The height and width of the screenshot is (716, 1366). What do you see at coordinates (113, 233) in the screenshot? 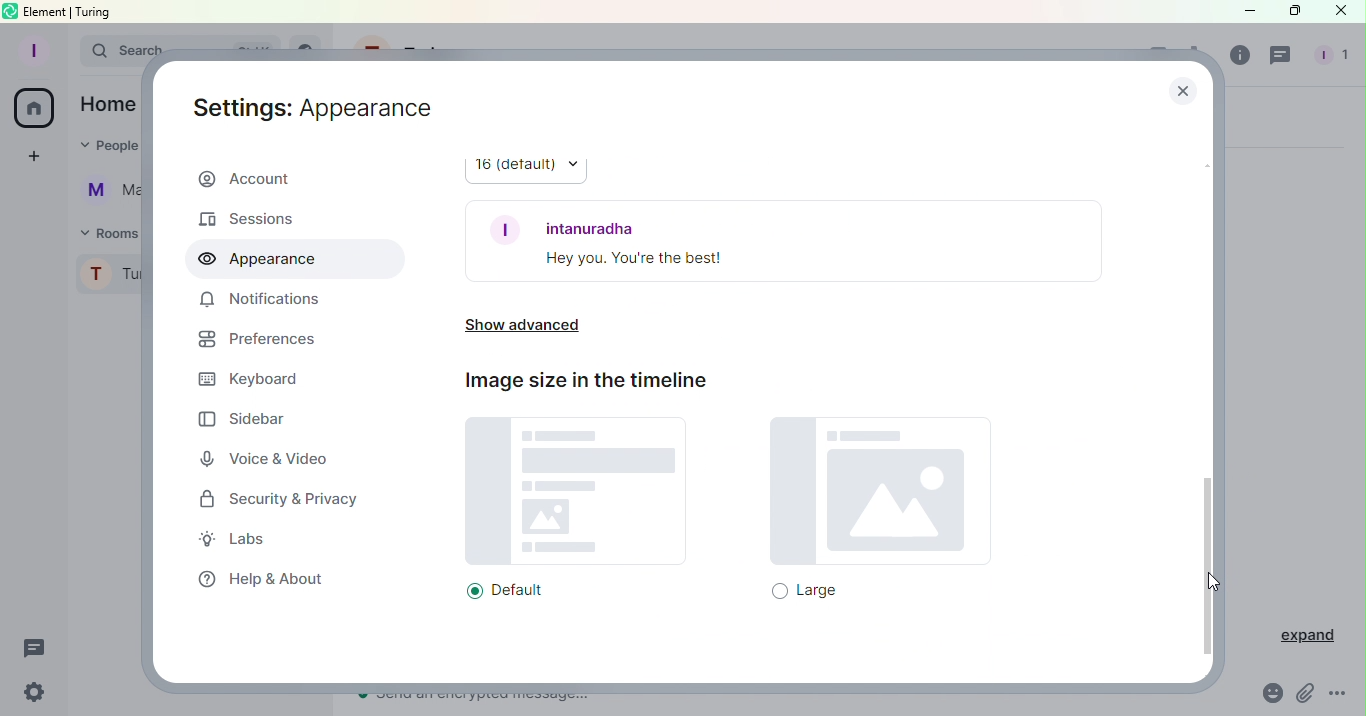
I see `Rooms` at bounding box center [113, 233].